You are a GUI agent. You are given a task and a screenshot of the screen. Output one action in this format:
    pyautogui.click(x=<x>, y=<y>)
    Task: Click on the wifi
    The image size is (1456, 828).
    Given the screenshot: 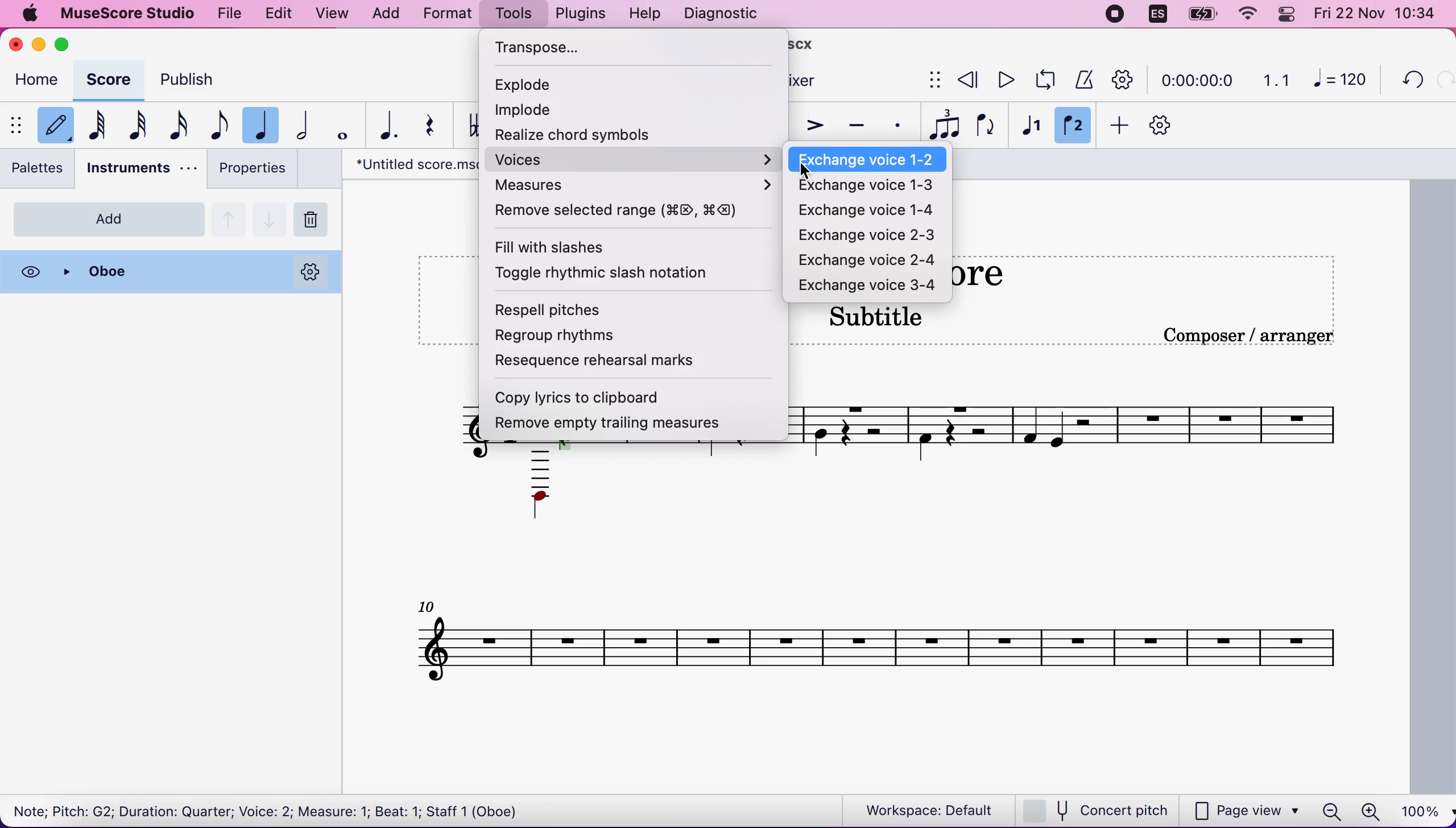 What is the action you would take?
    pyautogui.click(x=1243, y=13)
    